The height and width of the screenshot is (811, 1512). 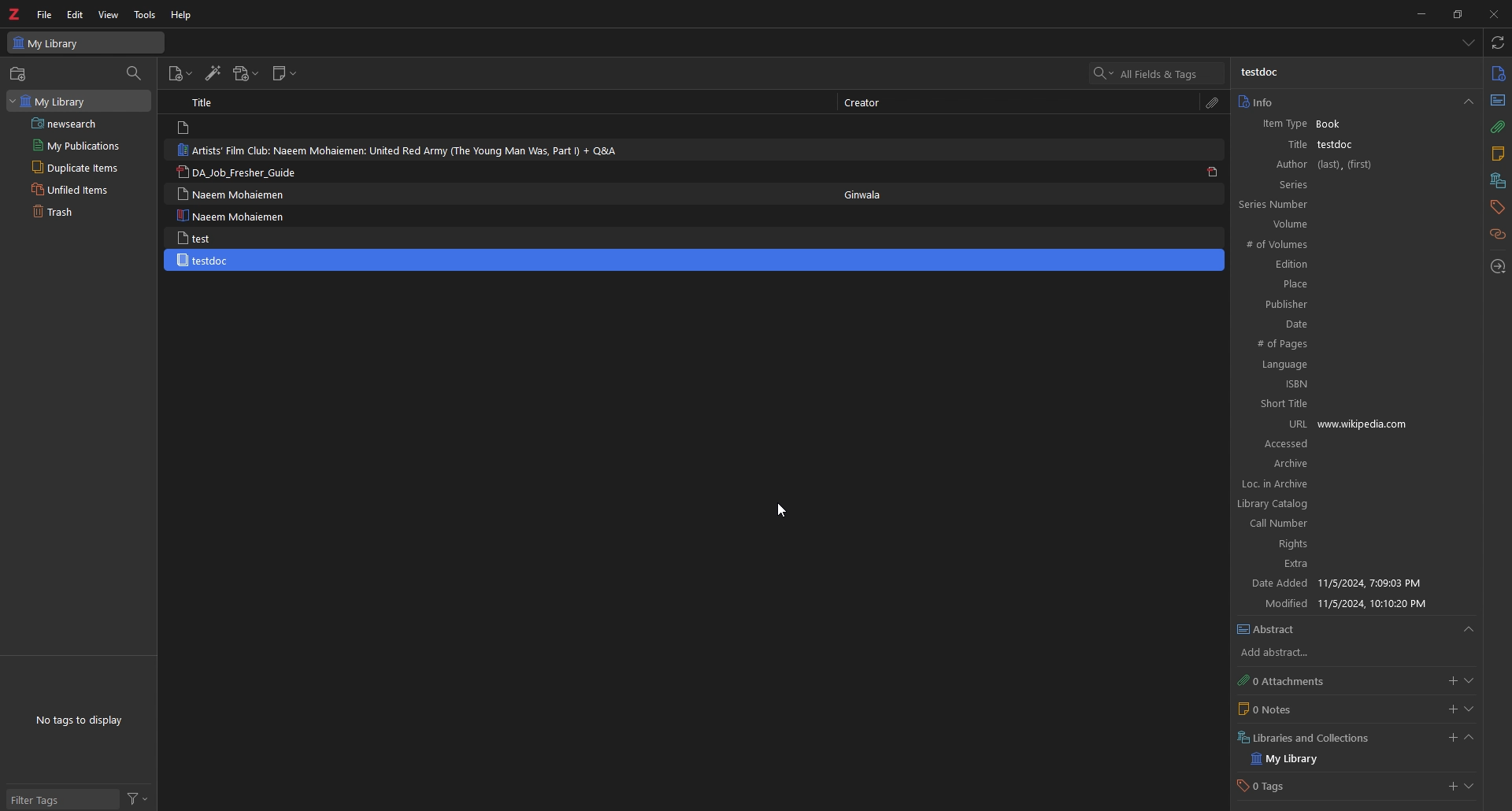 I want to click on Modified 11/5/2024 10:08:14 PM, so click(x=1354, y=604).